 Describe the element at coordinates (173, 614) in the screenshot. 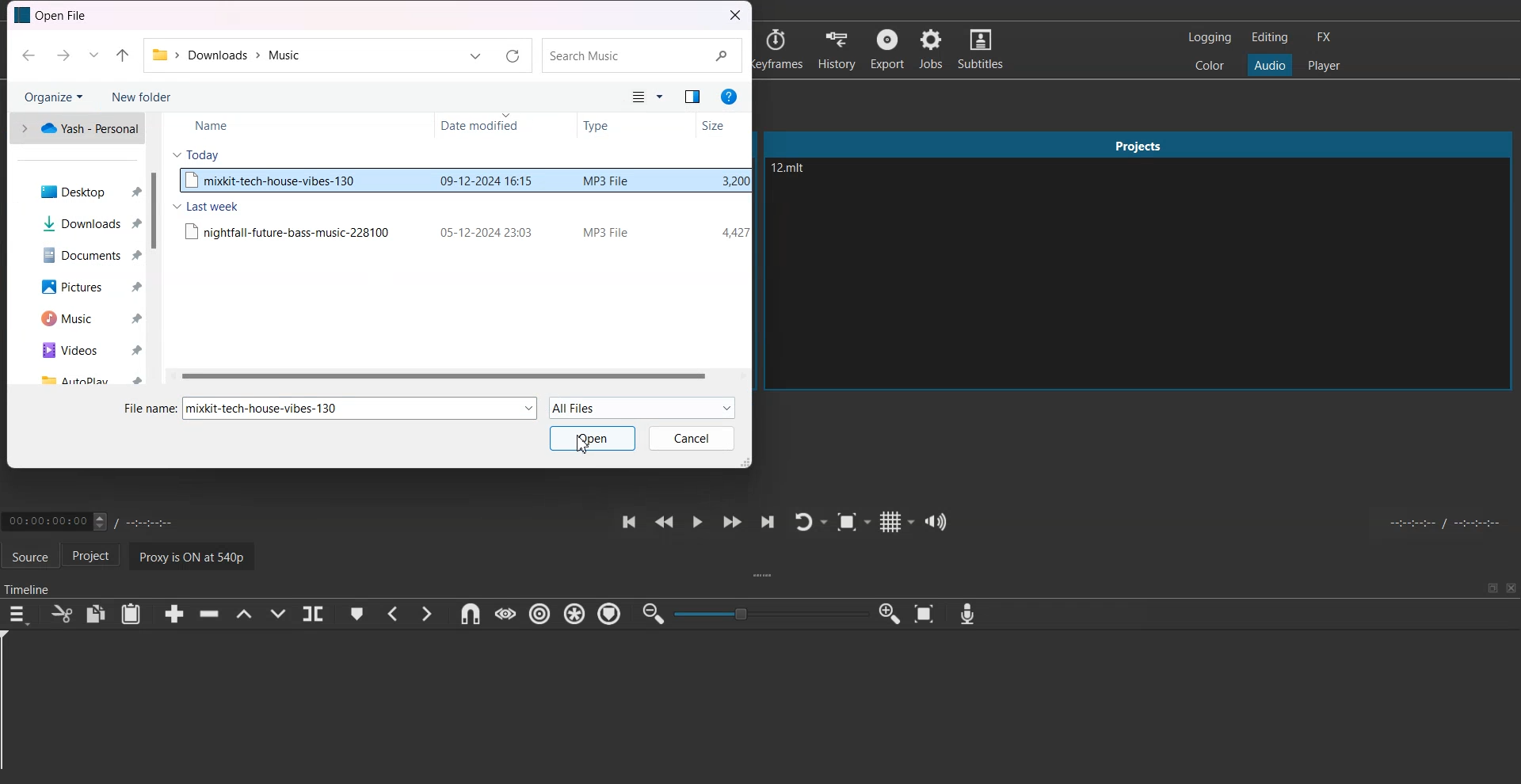

I see `Append` at that location.